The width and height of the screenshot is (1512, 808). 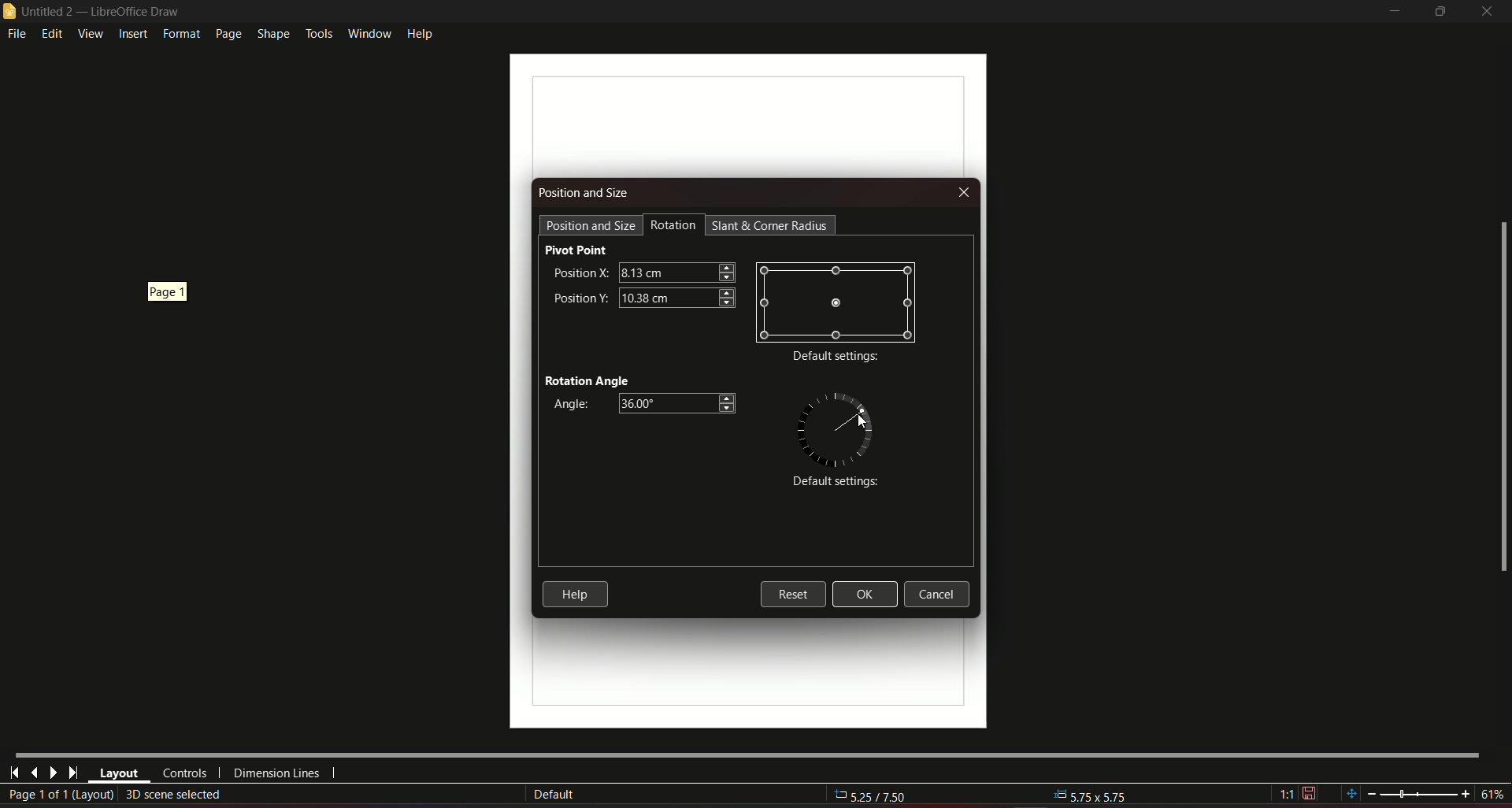 What do you see at coordinates (575, 594) in the screenshot?
I see `Help` at bounding box center [575, 594].